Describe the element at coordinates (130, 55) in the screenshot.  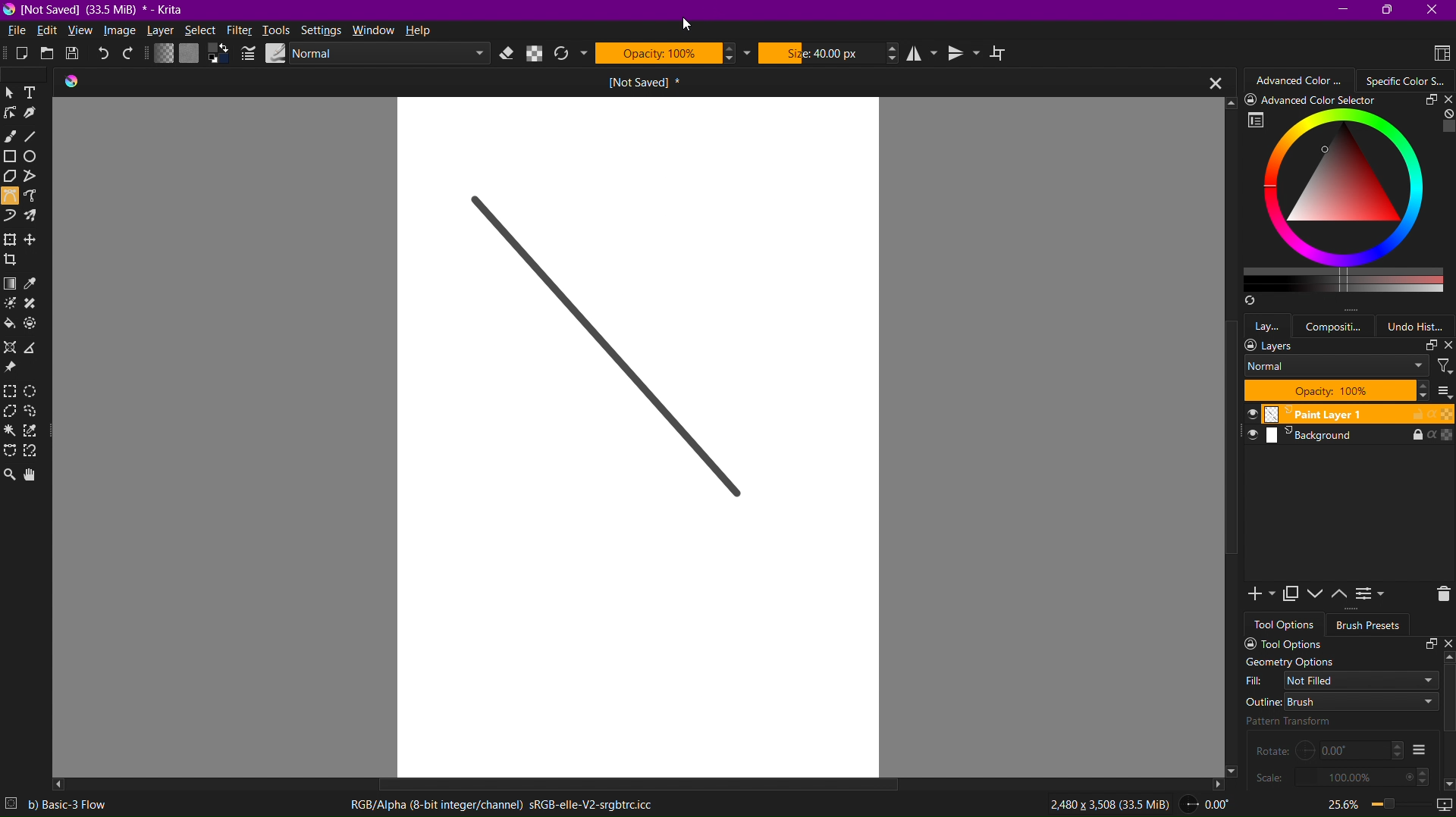
I see `Redo` at that location.